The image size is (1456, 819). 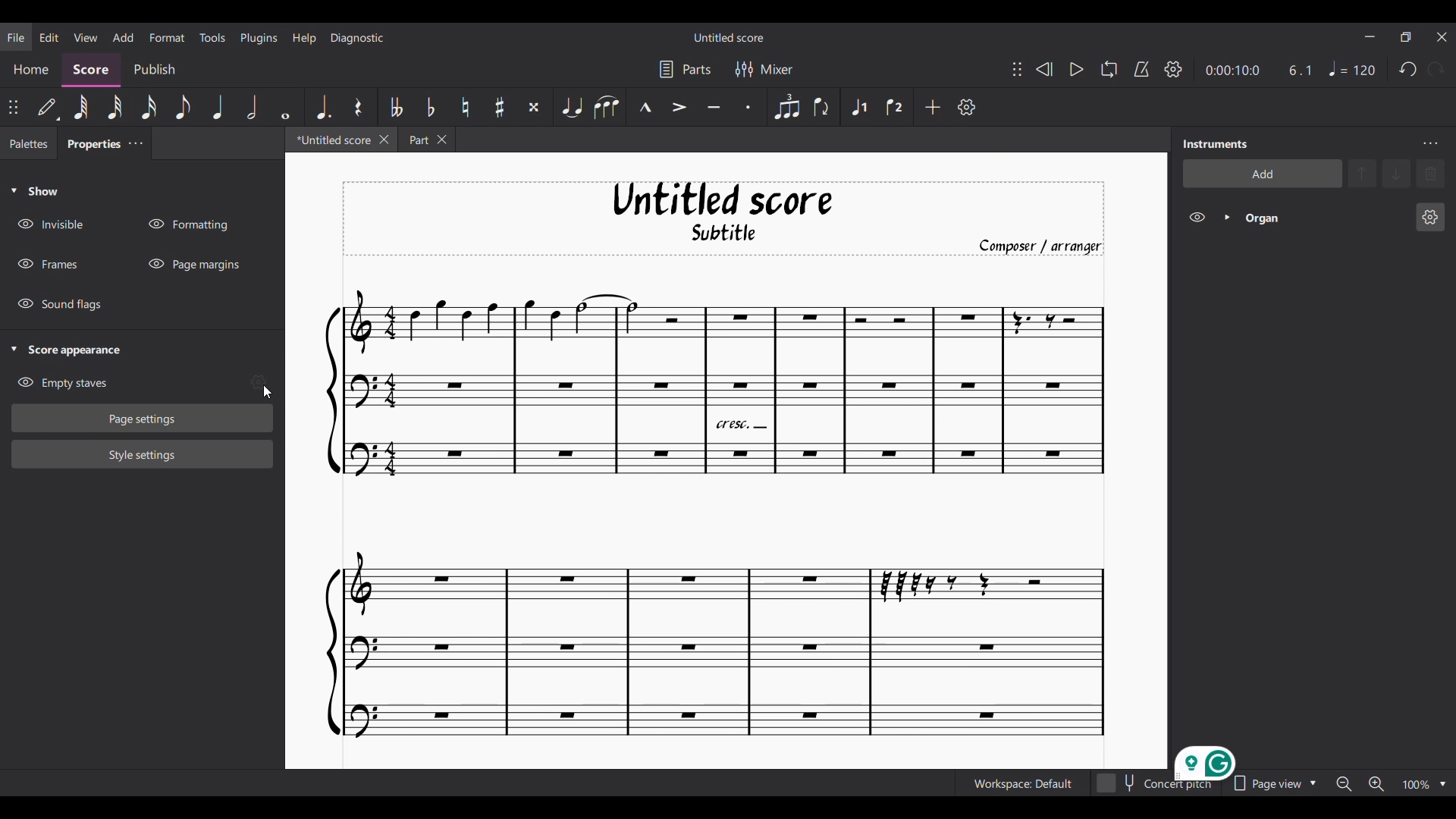 I want to click on Toggle for Concert pitch, so click(x=1153, y=789).